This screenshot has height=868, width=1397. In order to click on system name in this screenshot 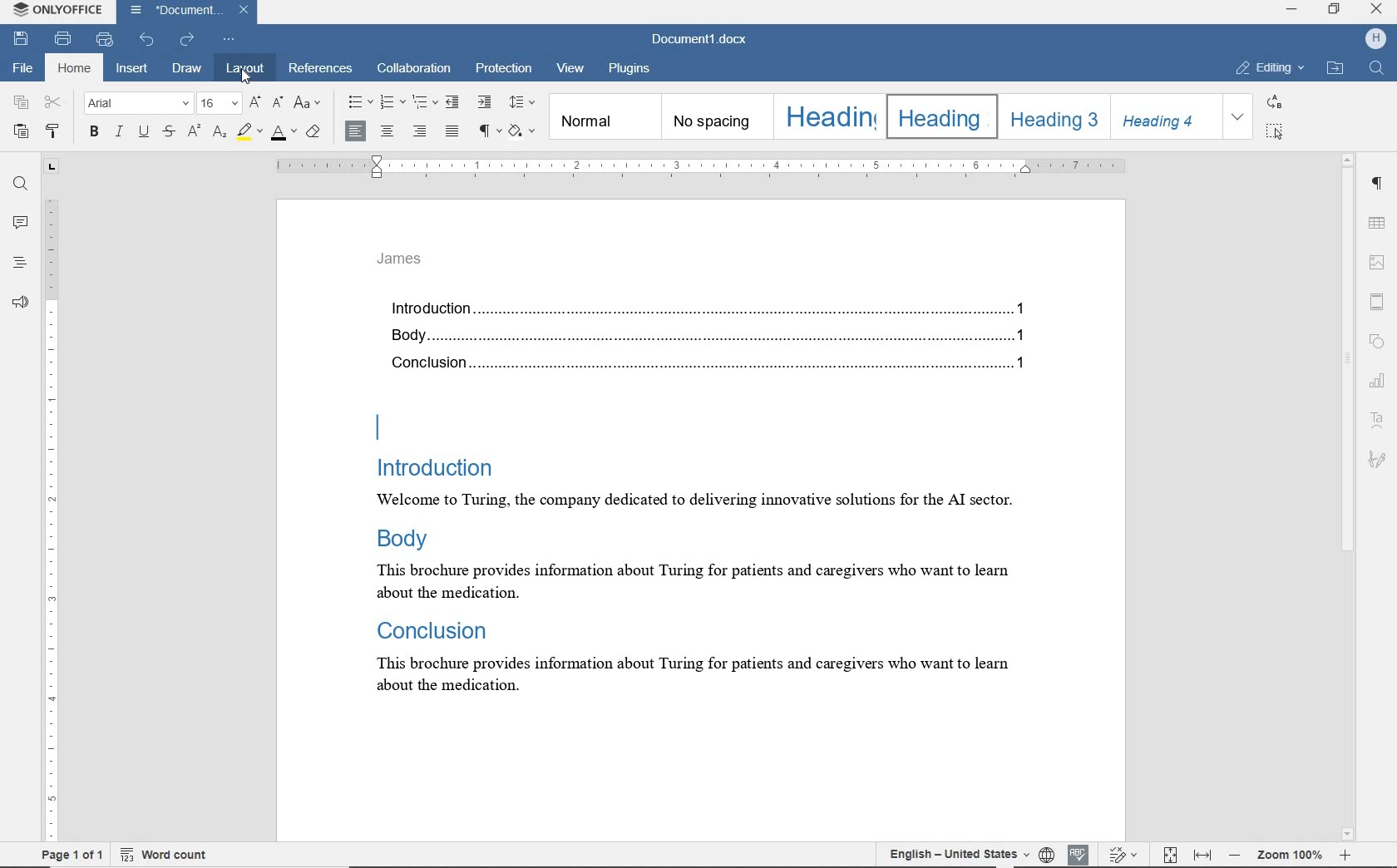, I will do `click(60, 12)`.